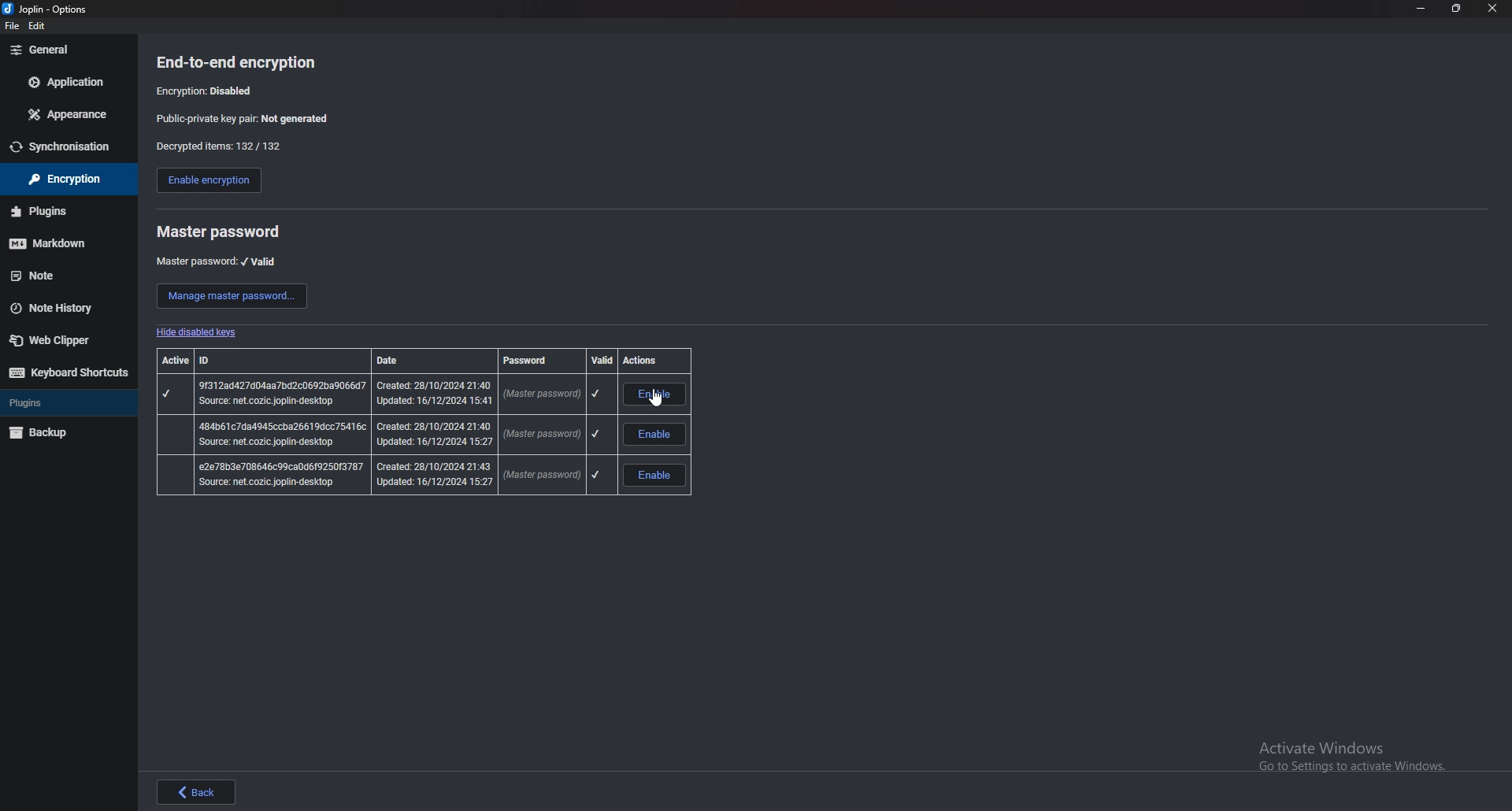  What do you see at coordinates (243, 61) in the screenshot?
I see `end to end encryption` at bounding box center [243, 61].